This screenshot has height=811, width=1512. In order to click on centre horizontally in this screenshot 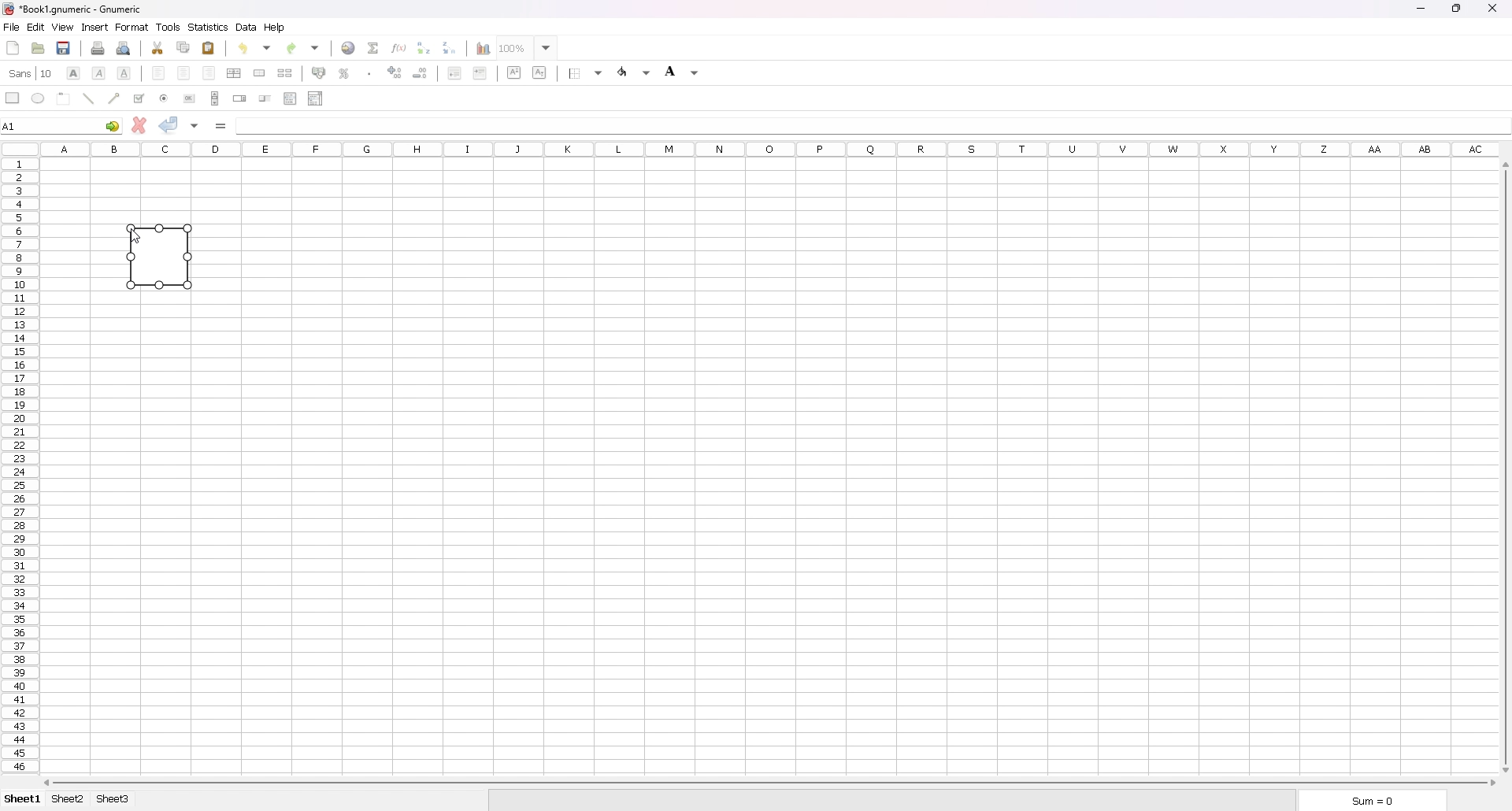, I will do `click(235, 73)`.